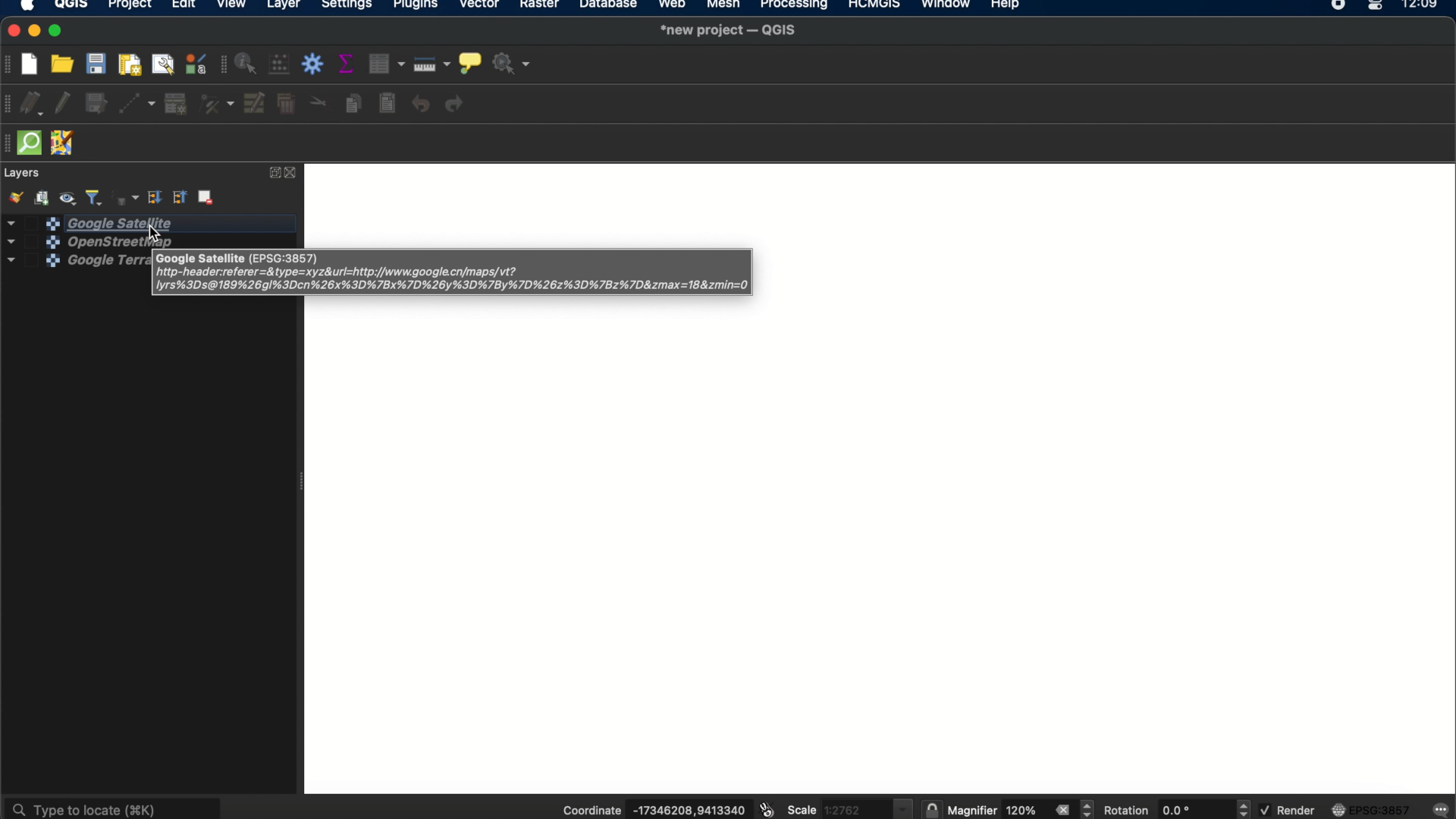  I want to click on show layout manager, so click(165, 64).